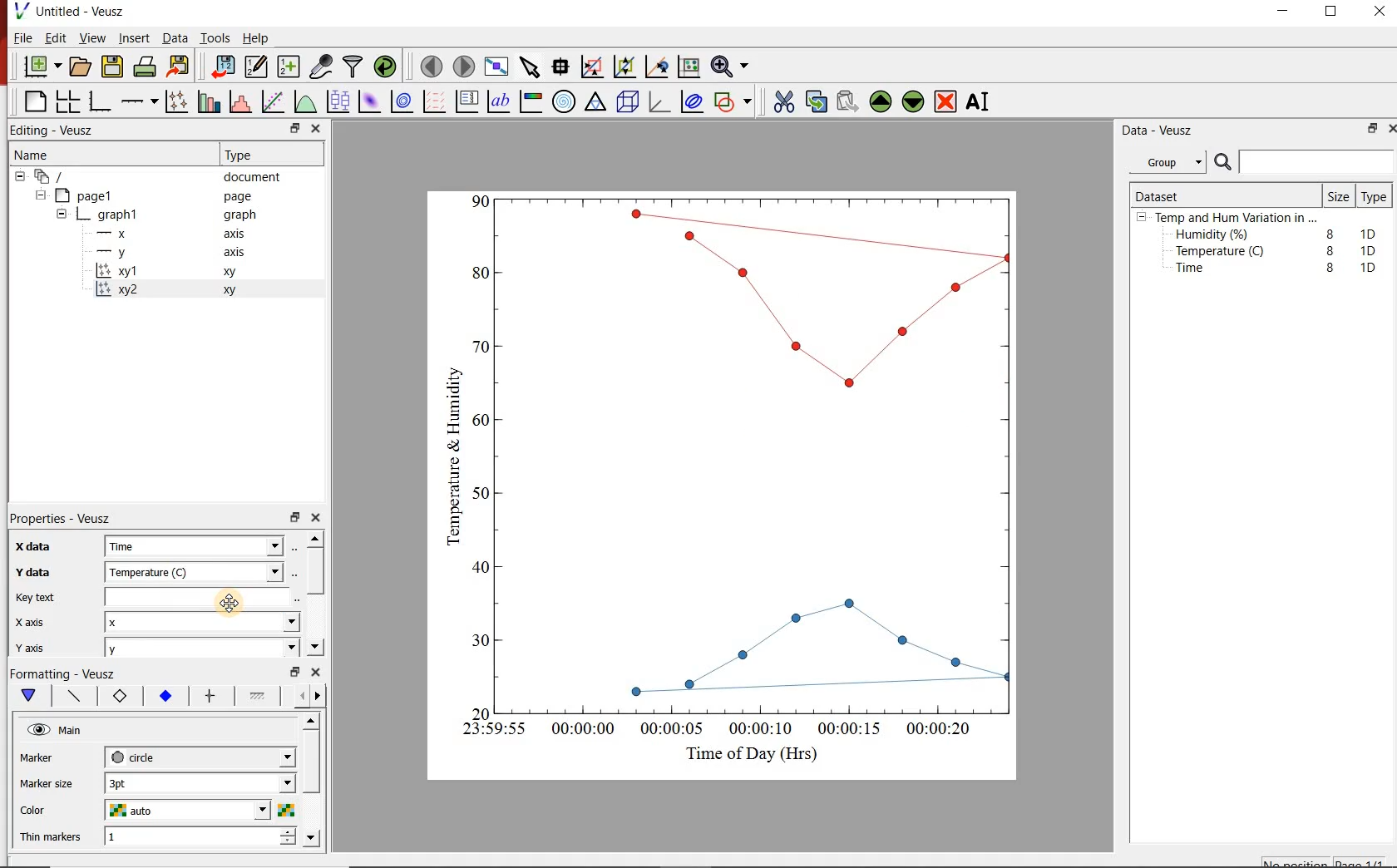 The width and height of the screenshot is (1397, 868). What do you see at coordinates (759, 727) in the screenshot?
I see `00:00:10` at bounding box center [759, 727].